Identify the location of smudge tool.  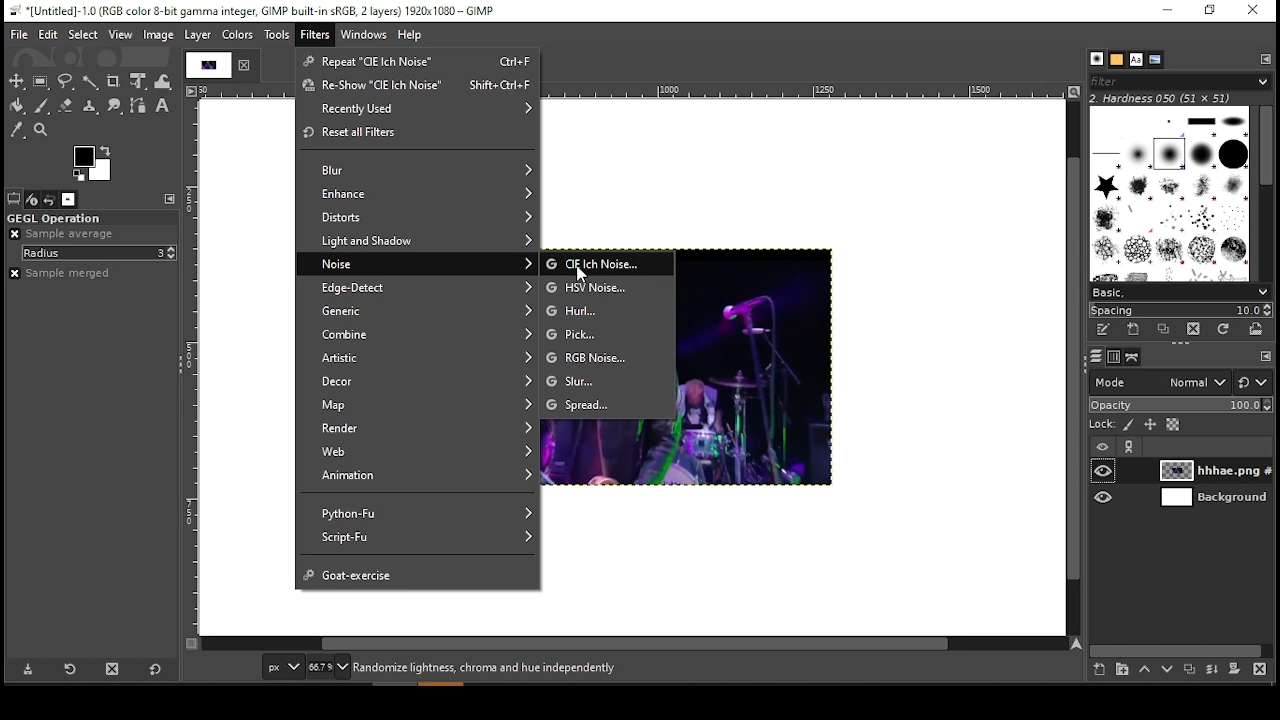
(114, 107).